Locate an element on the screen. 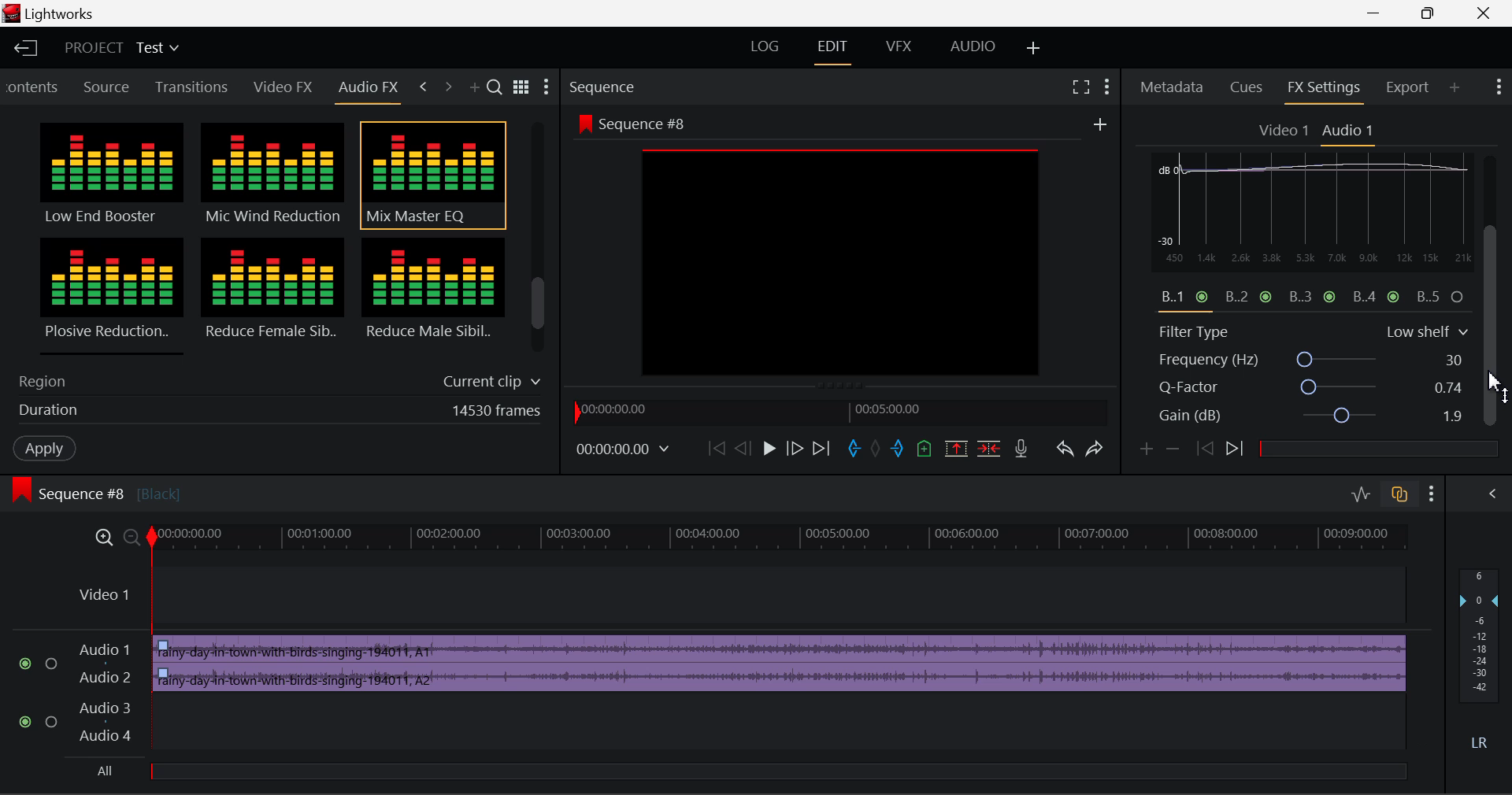  Minimize is located at coordinates (1435, 13).